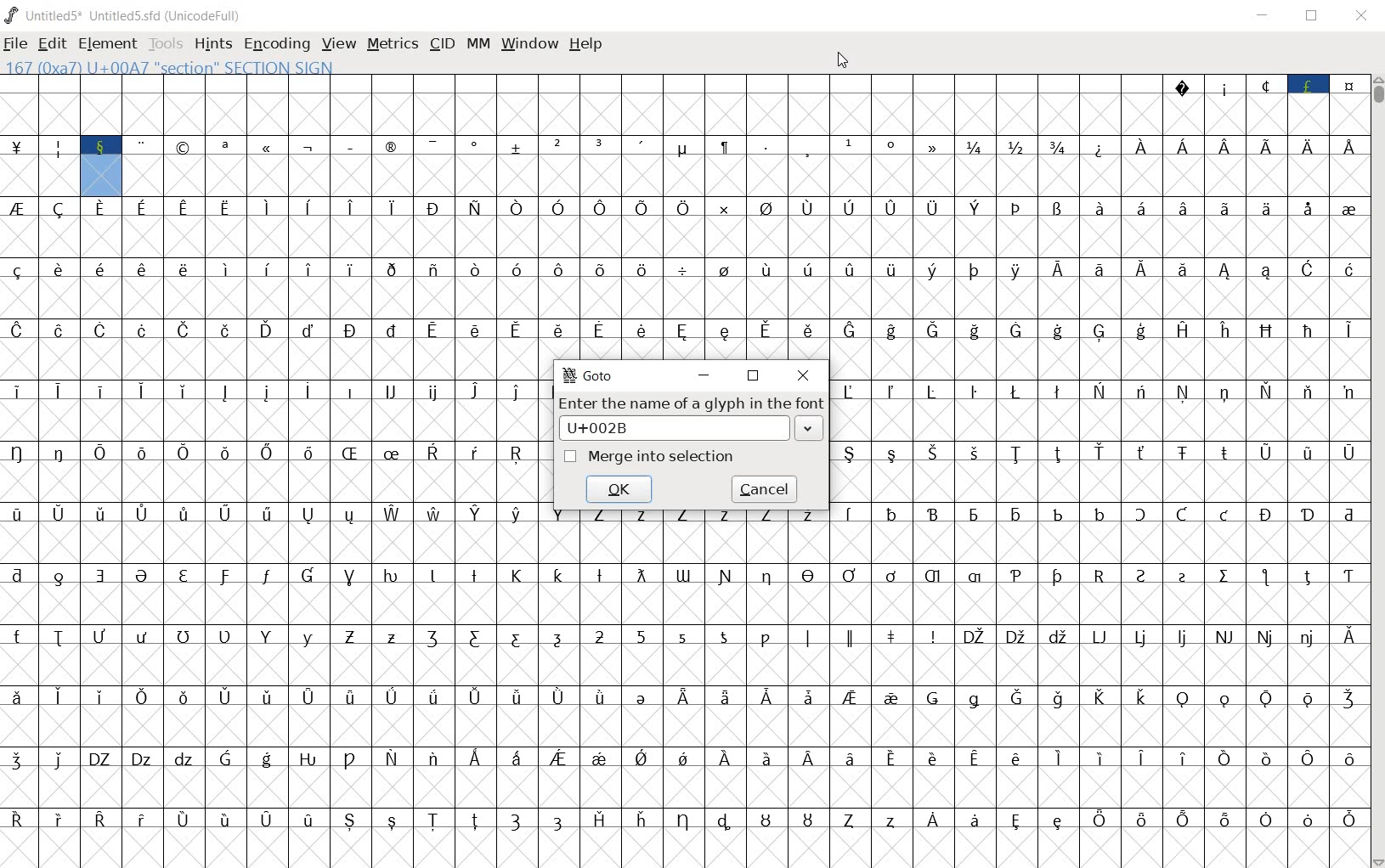 Image resolution: width=1385 pixels, height=868 pixels. Describe the element at coordinates (540, 656) in the screenshot. I see `special alphabets` at that location.